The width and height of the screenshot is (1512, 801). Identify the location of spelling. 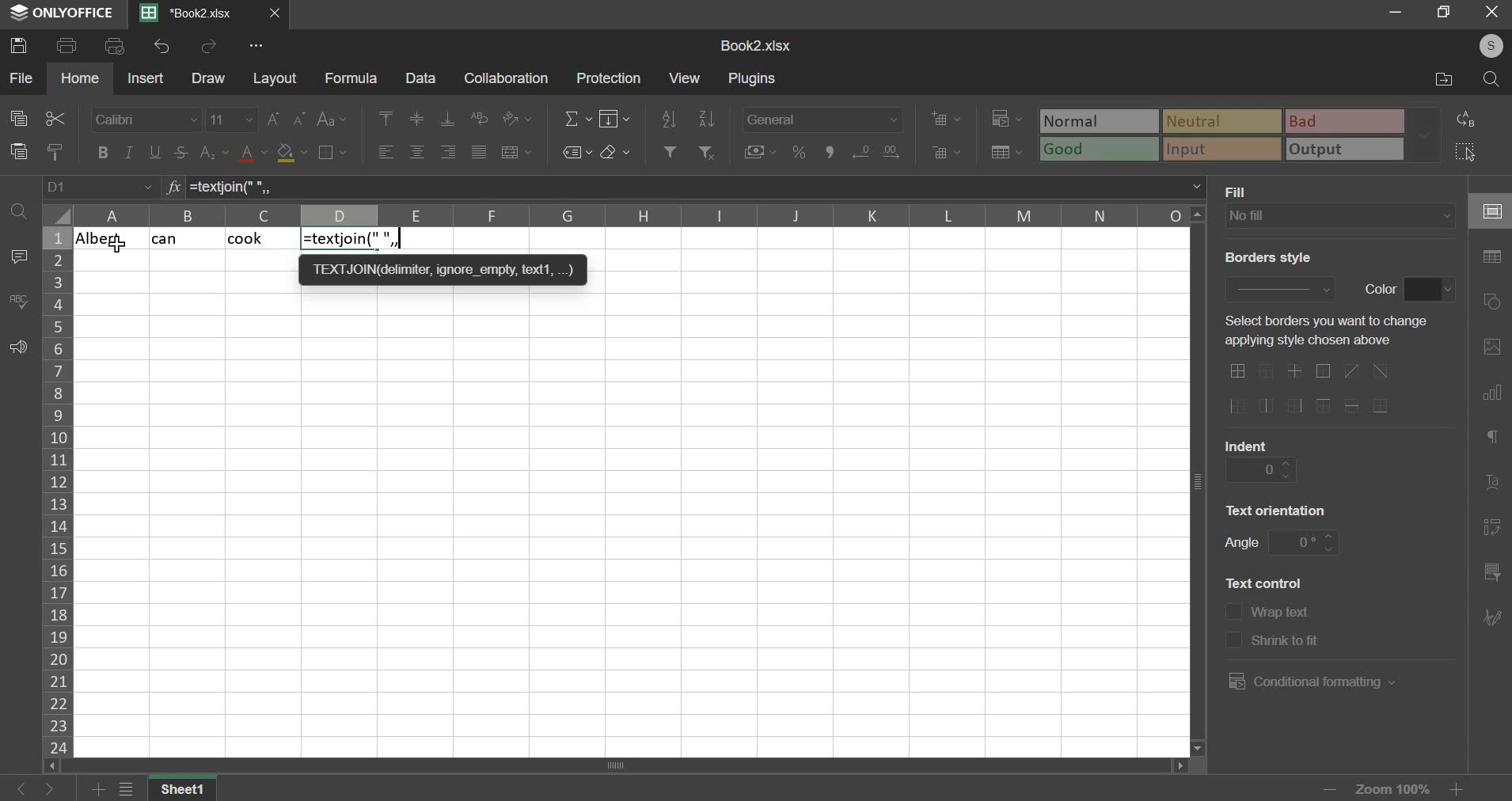
(18, 301).